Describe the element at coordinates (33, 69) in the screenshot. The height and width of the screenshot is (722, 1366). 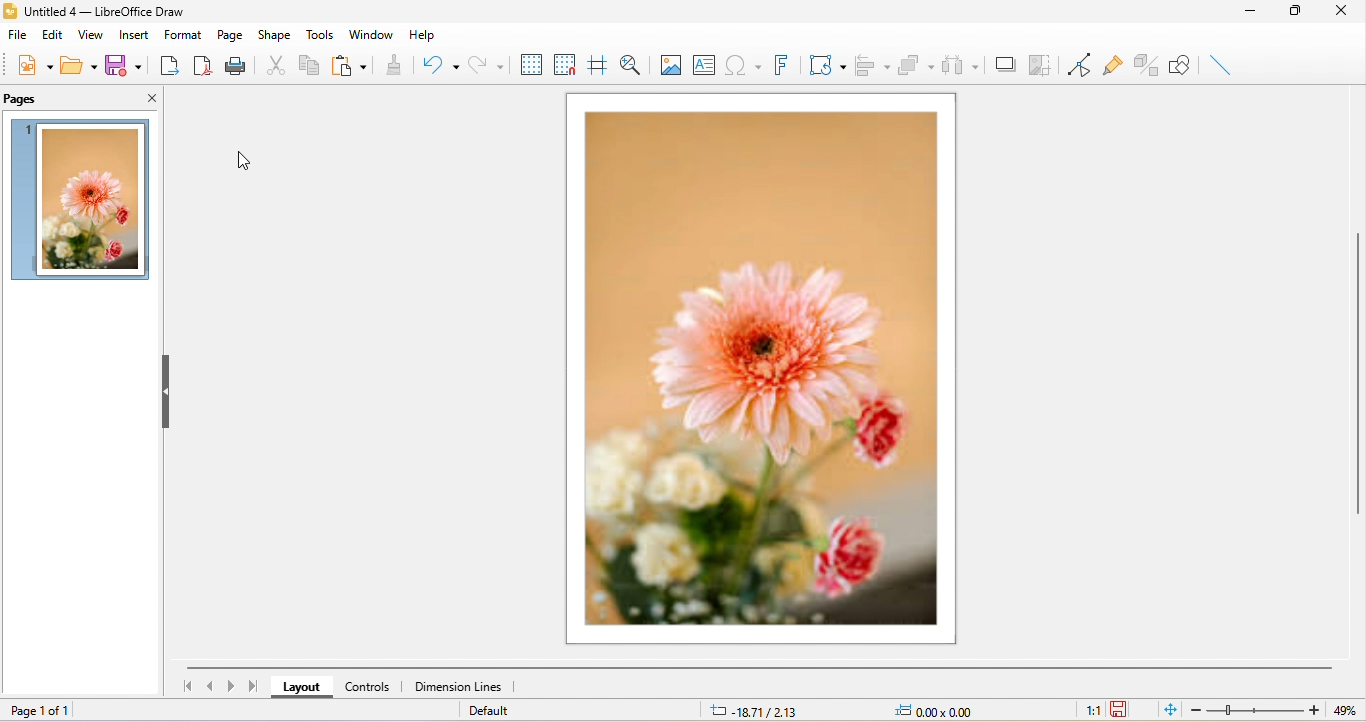
I see `new` at that location.